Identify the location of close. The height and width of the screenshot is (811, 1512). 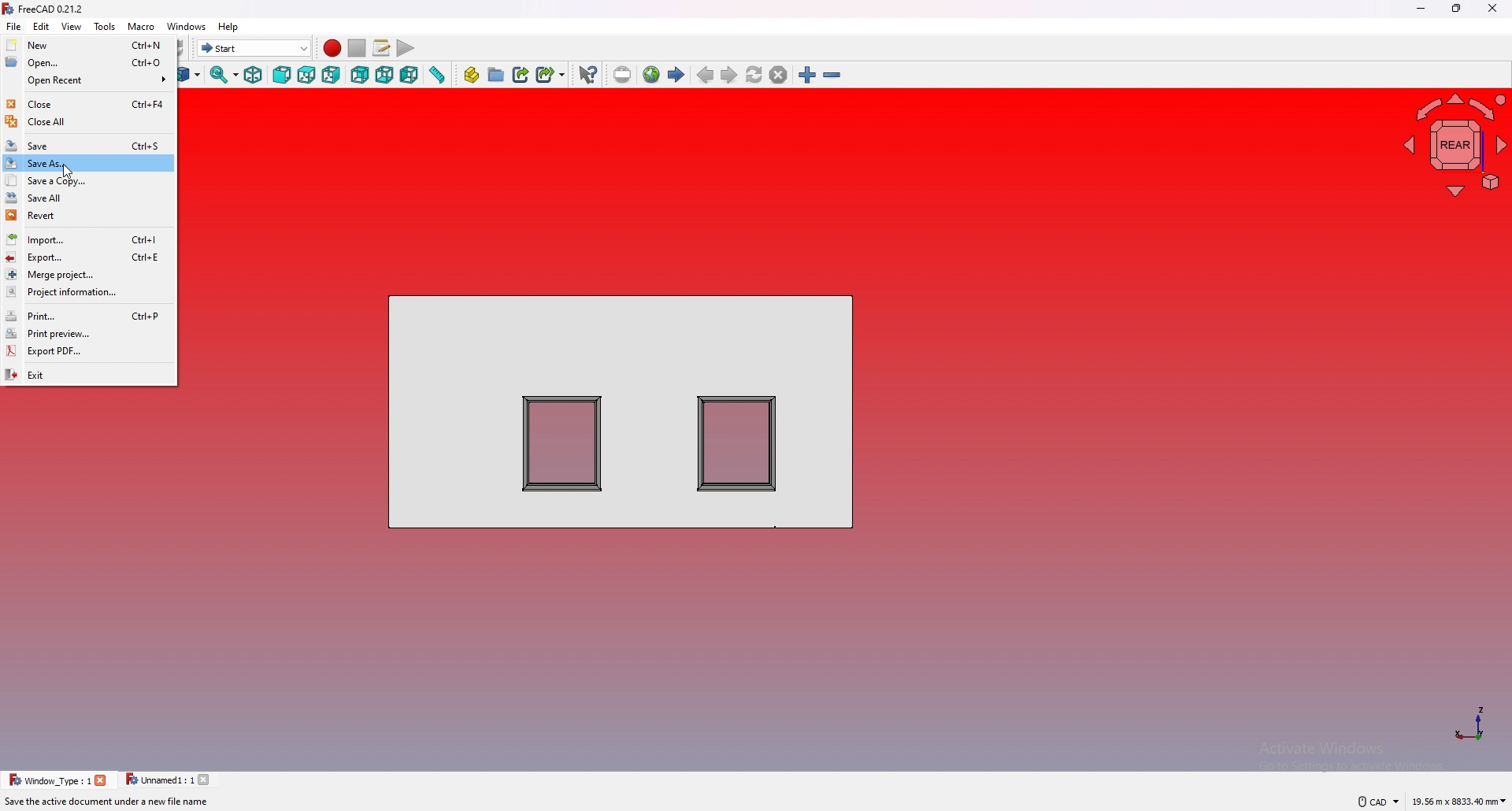
(207, 780).